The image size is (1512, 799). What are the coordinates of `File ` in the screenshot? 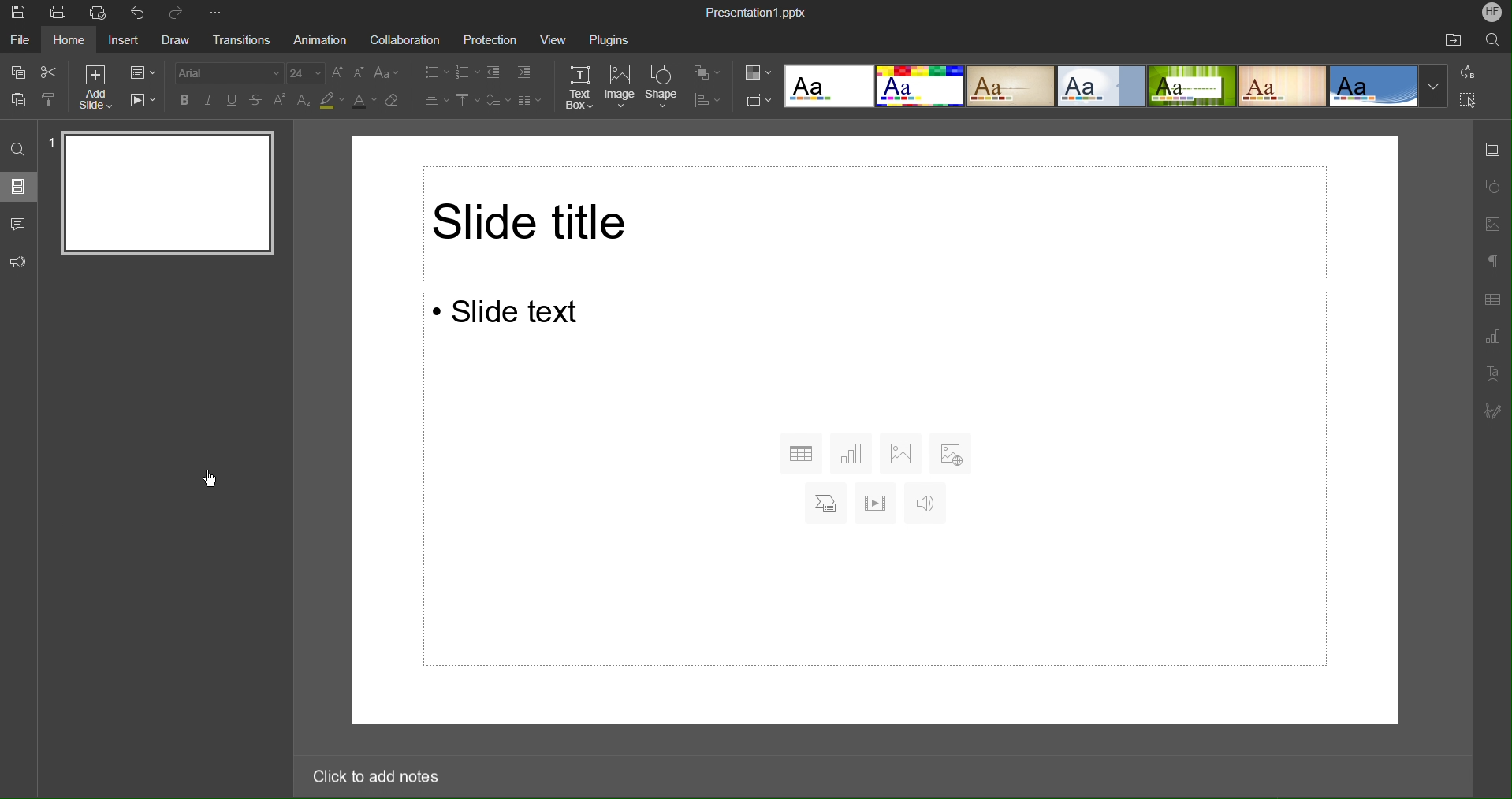 It's located at (22, 40).